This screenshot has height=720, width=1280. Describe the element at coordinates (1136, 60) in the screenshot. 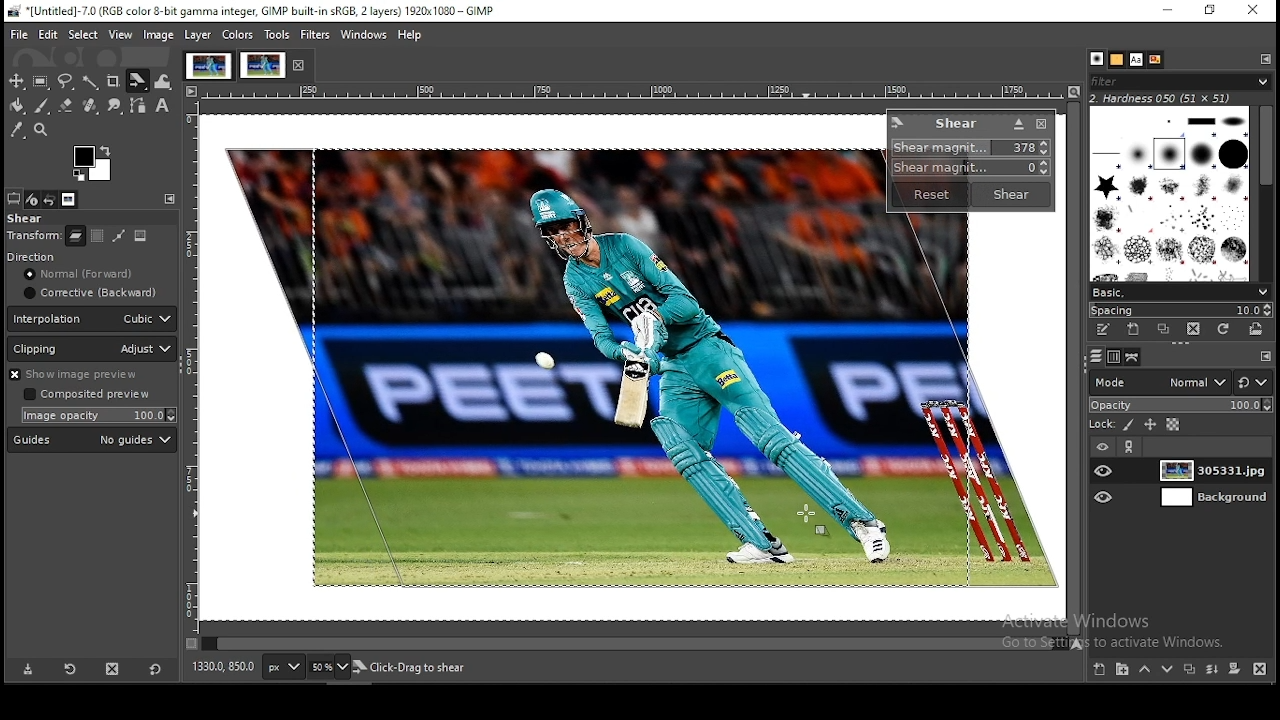

I see `fonts` at that location.